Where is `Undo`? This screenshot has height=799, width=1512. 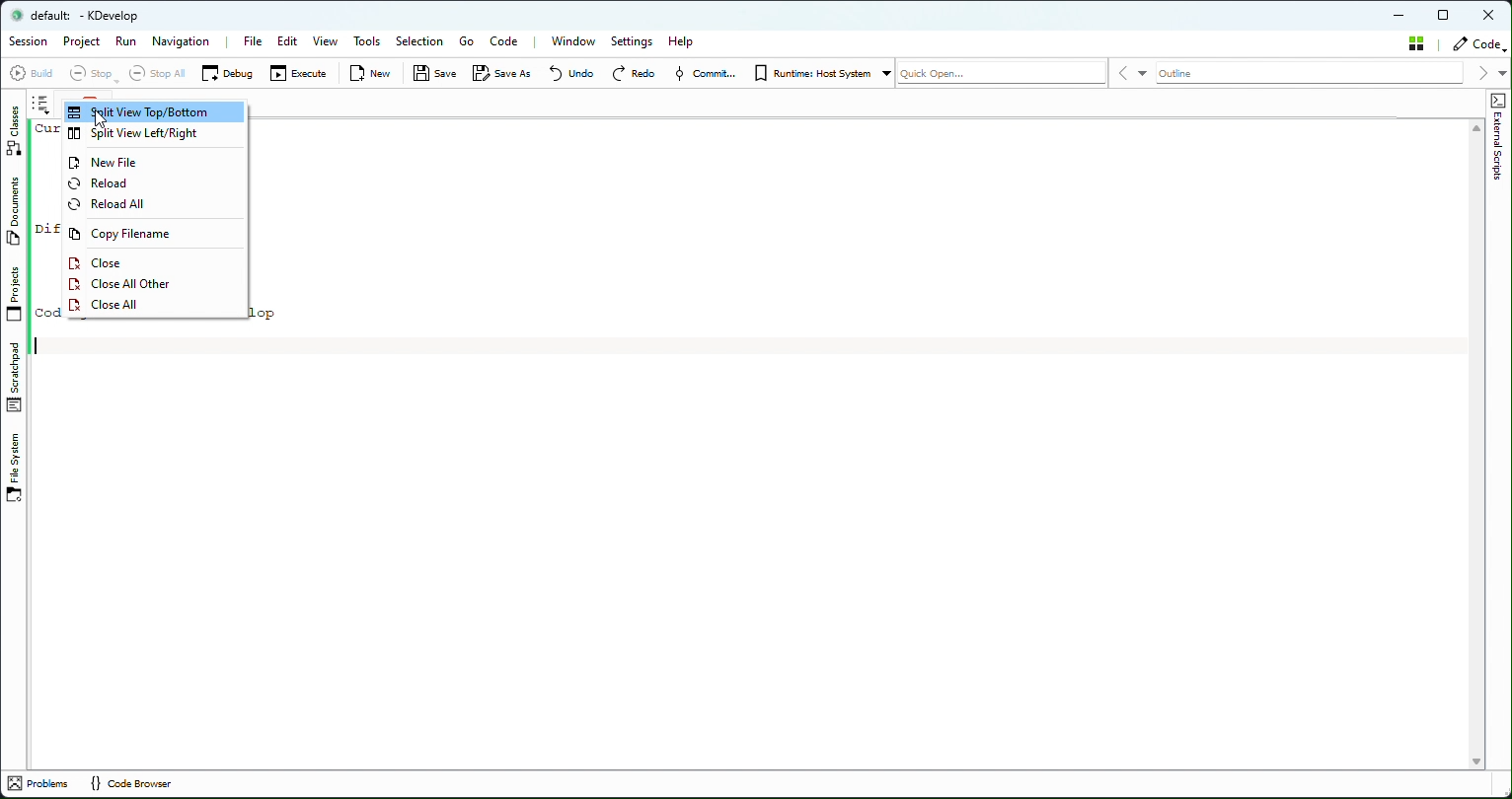
Undo is located at coordinates (571, 75).